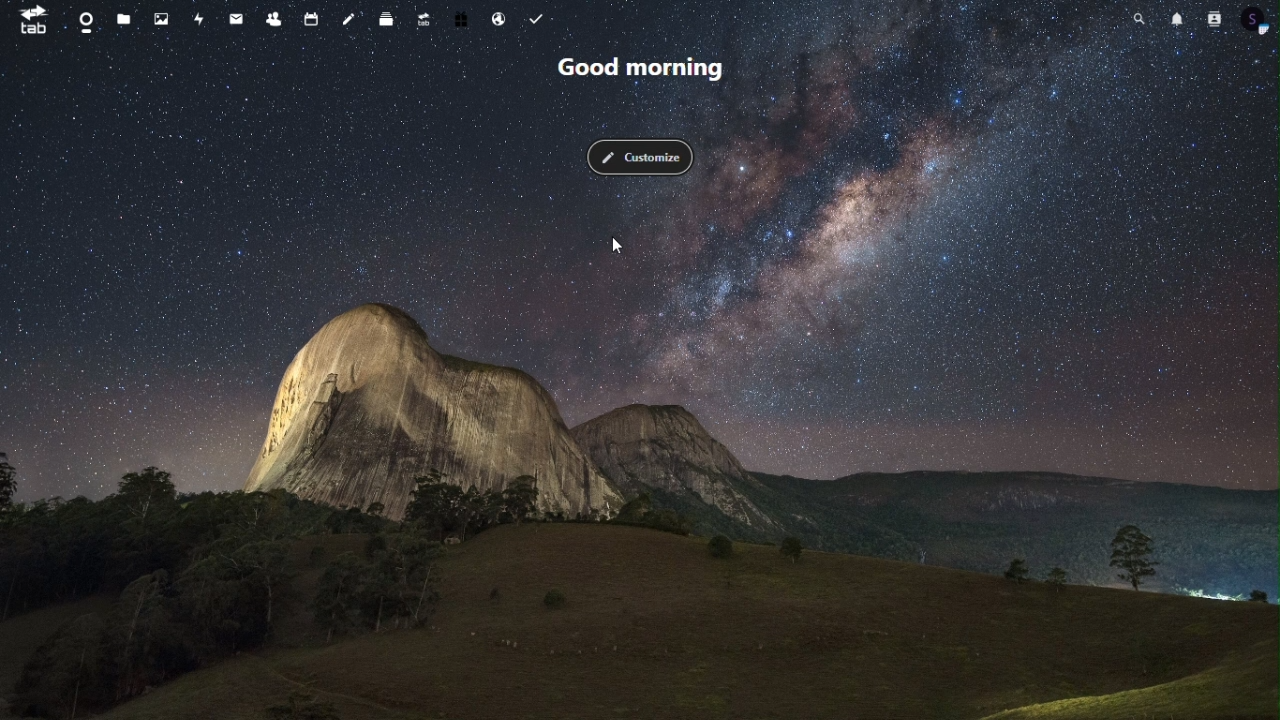  Describe the element at coordinates (640, 157) in the screenshot. I see `customize` at that location.